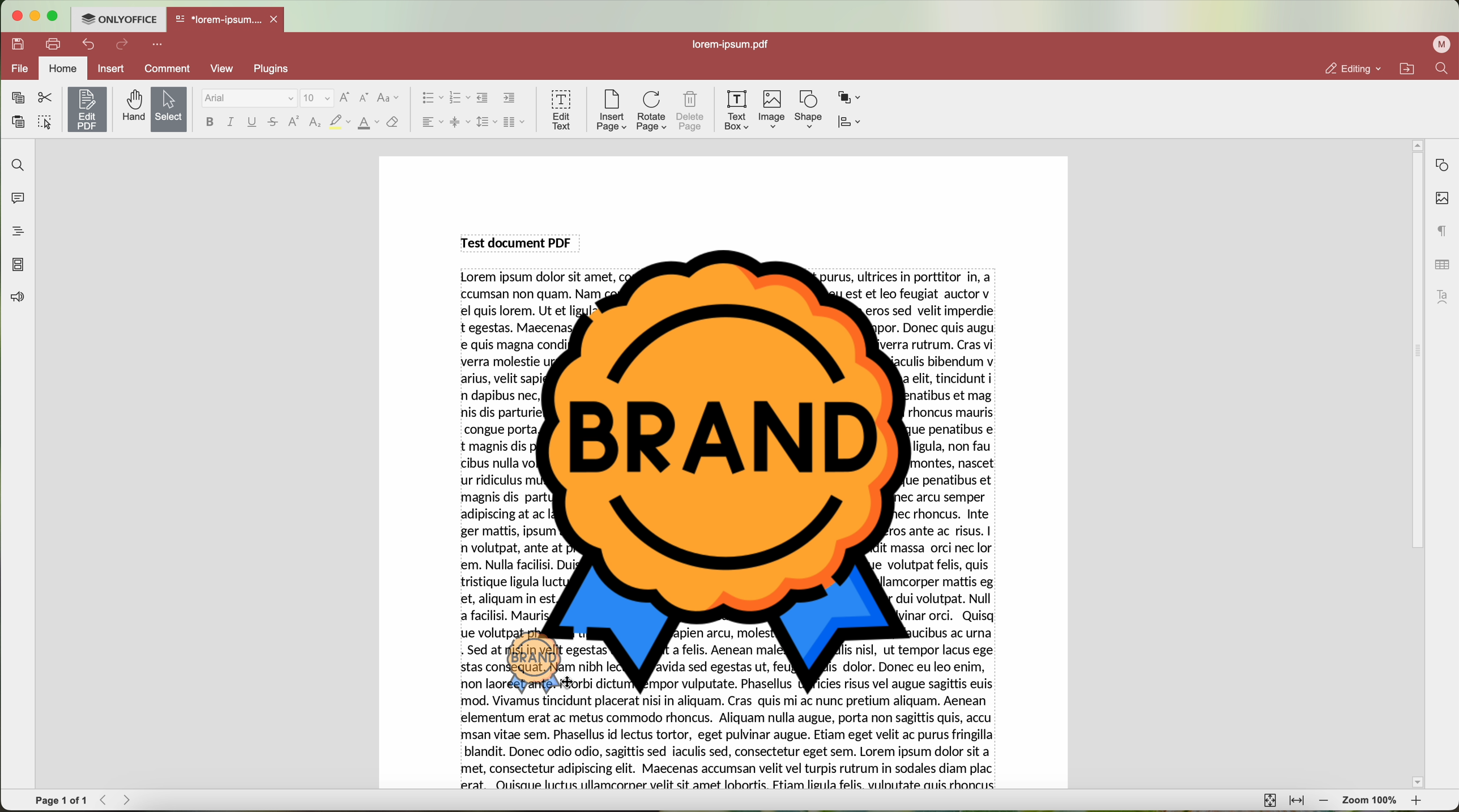  Describe the element at coordinates (487, 122) in the screenshot. I see `line spacing` at that location.